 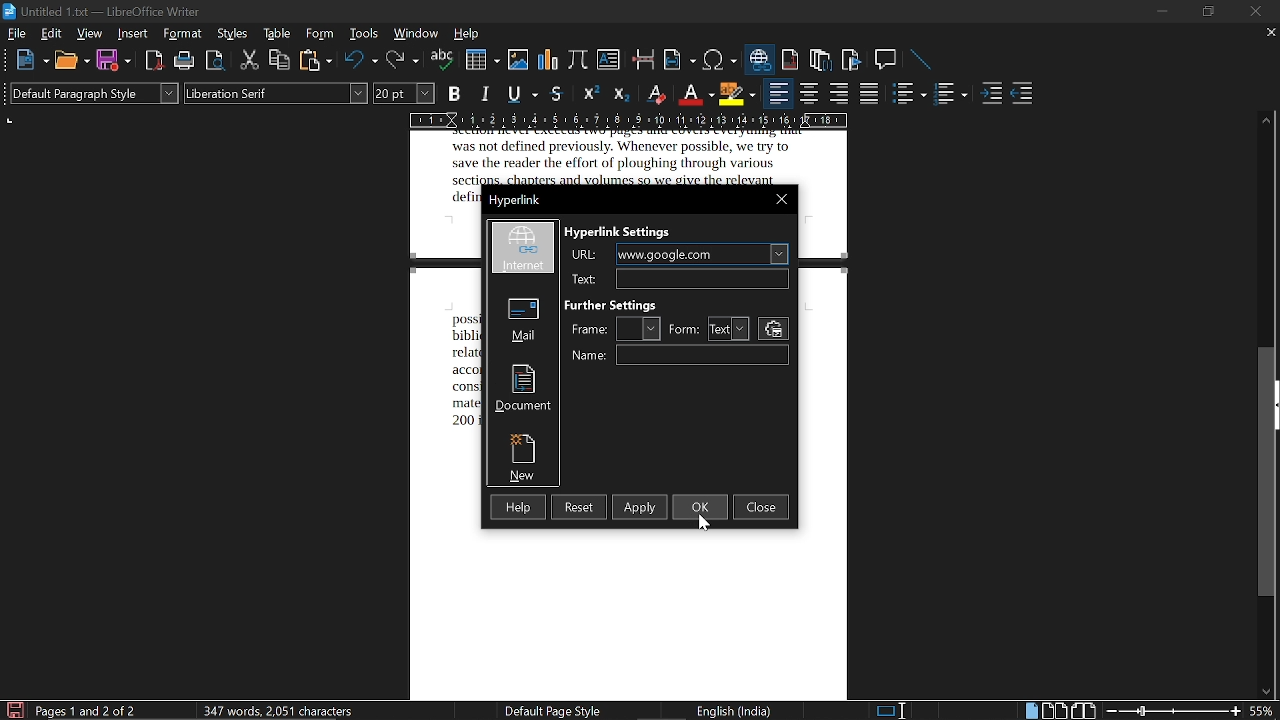 I want to click on redo, so click(x=402, y=62).